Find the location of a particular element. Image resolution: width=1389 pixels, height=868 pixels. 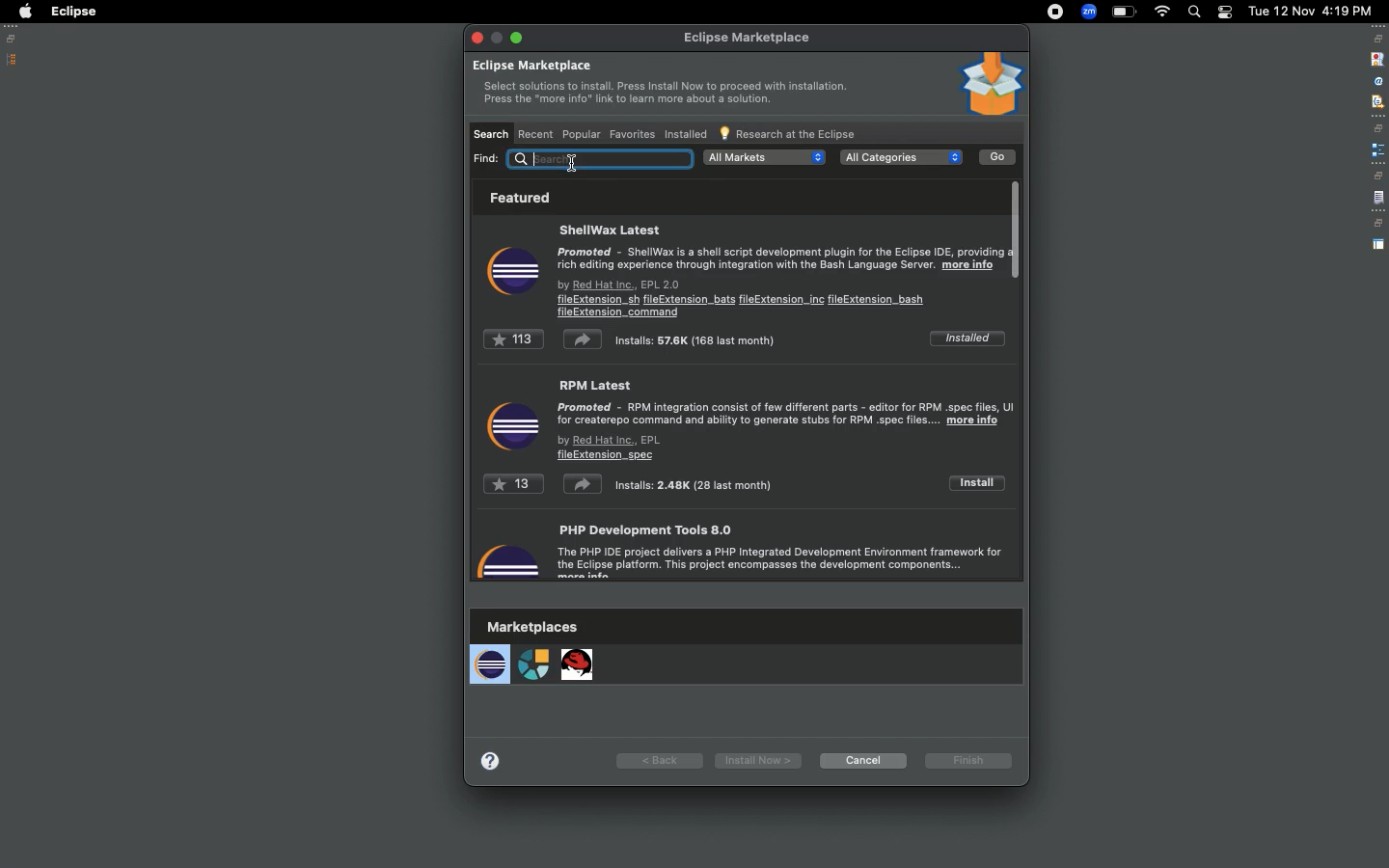

PHP development tools is located at coordinates (786, 552).